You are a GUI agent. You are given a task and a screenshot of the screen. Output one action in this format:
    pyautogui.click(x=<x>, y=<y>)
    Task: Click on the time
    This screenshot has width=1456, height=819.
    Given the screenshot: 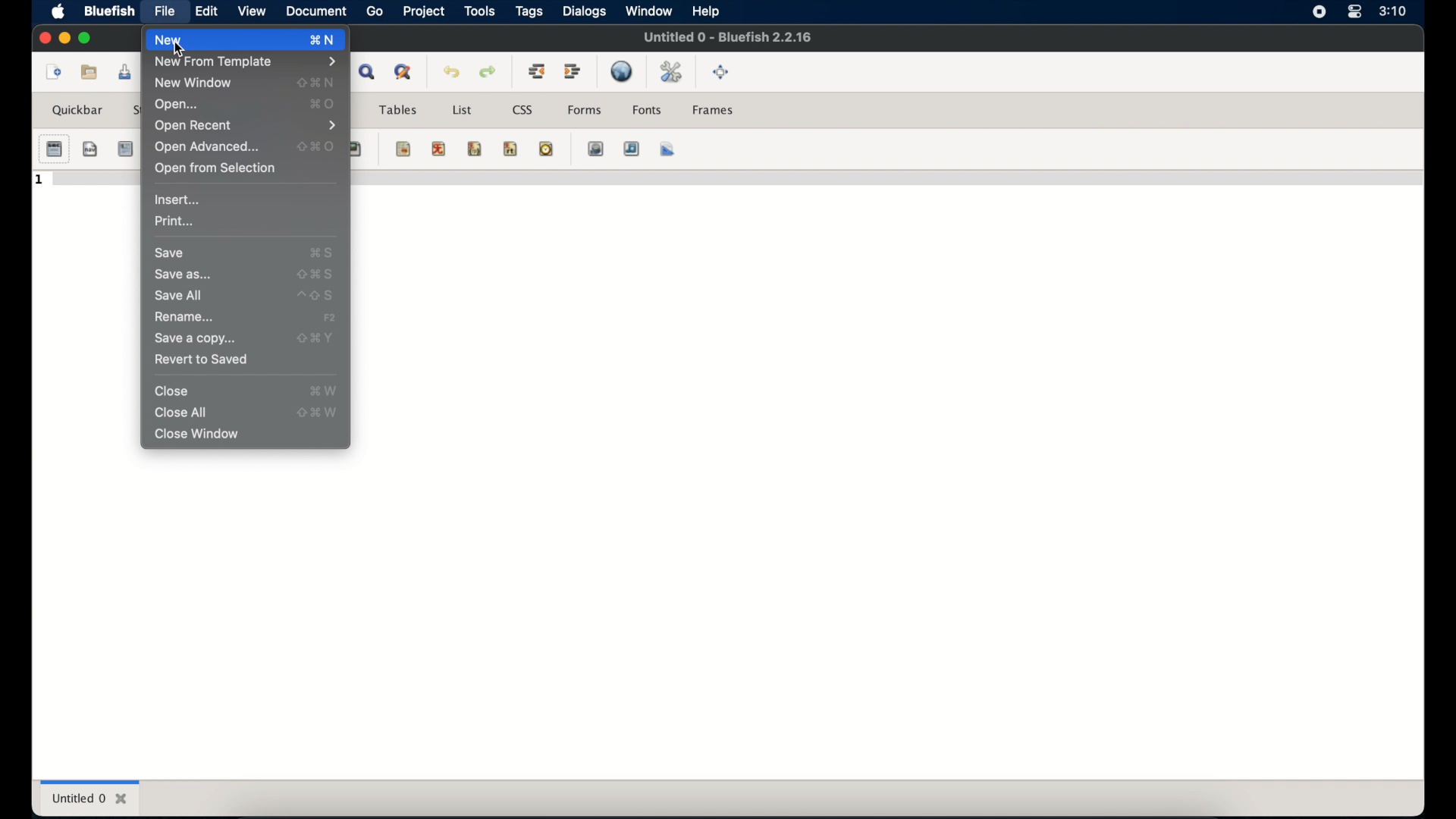 What is the action you would take?
    pyautogui.click(x=1392, y=11)
    